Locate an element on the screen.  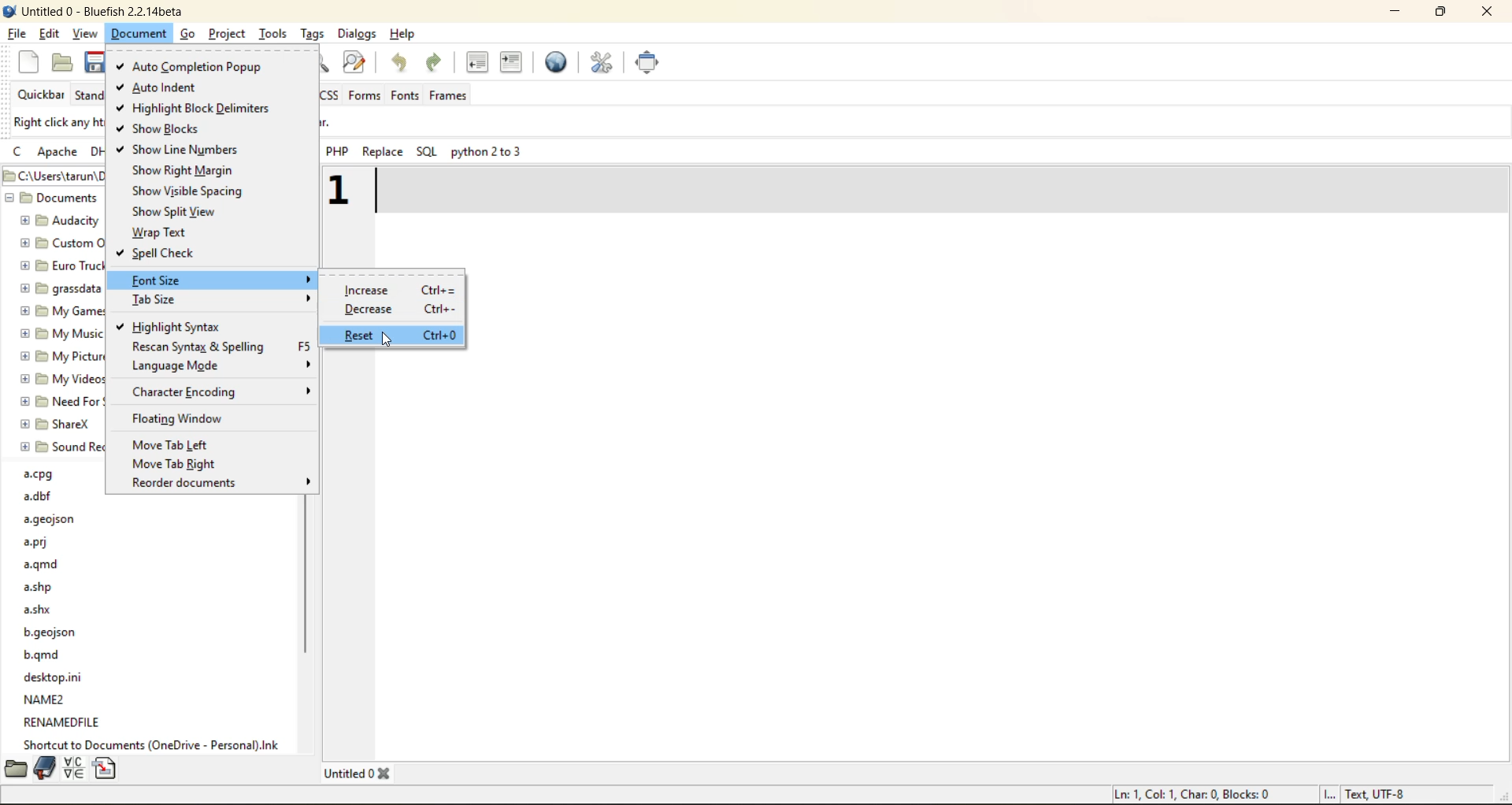
show line numbers is located at coordinates (190, 149).